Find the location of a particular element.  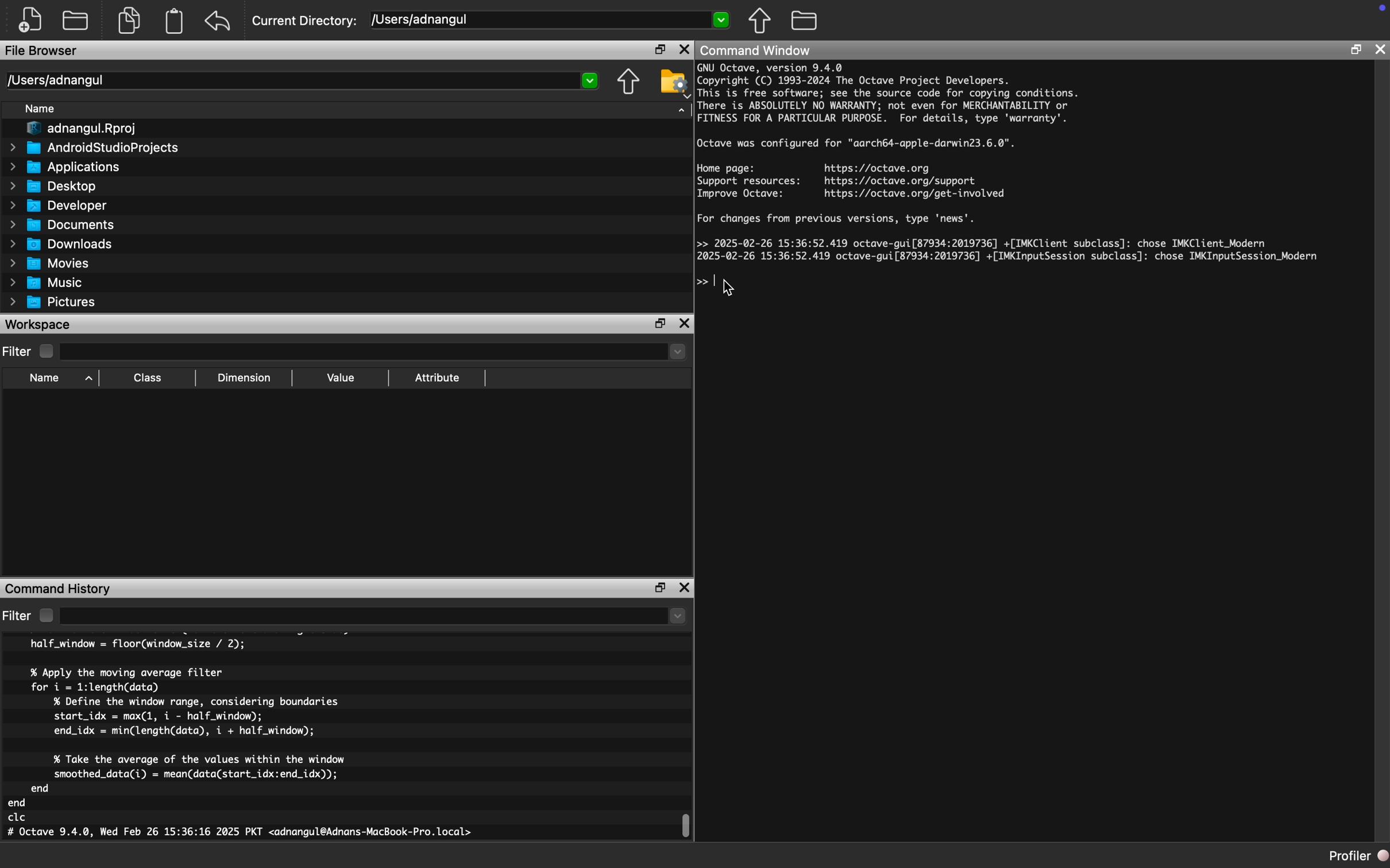

Typing Indicator is located at coordinates (711, 285).